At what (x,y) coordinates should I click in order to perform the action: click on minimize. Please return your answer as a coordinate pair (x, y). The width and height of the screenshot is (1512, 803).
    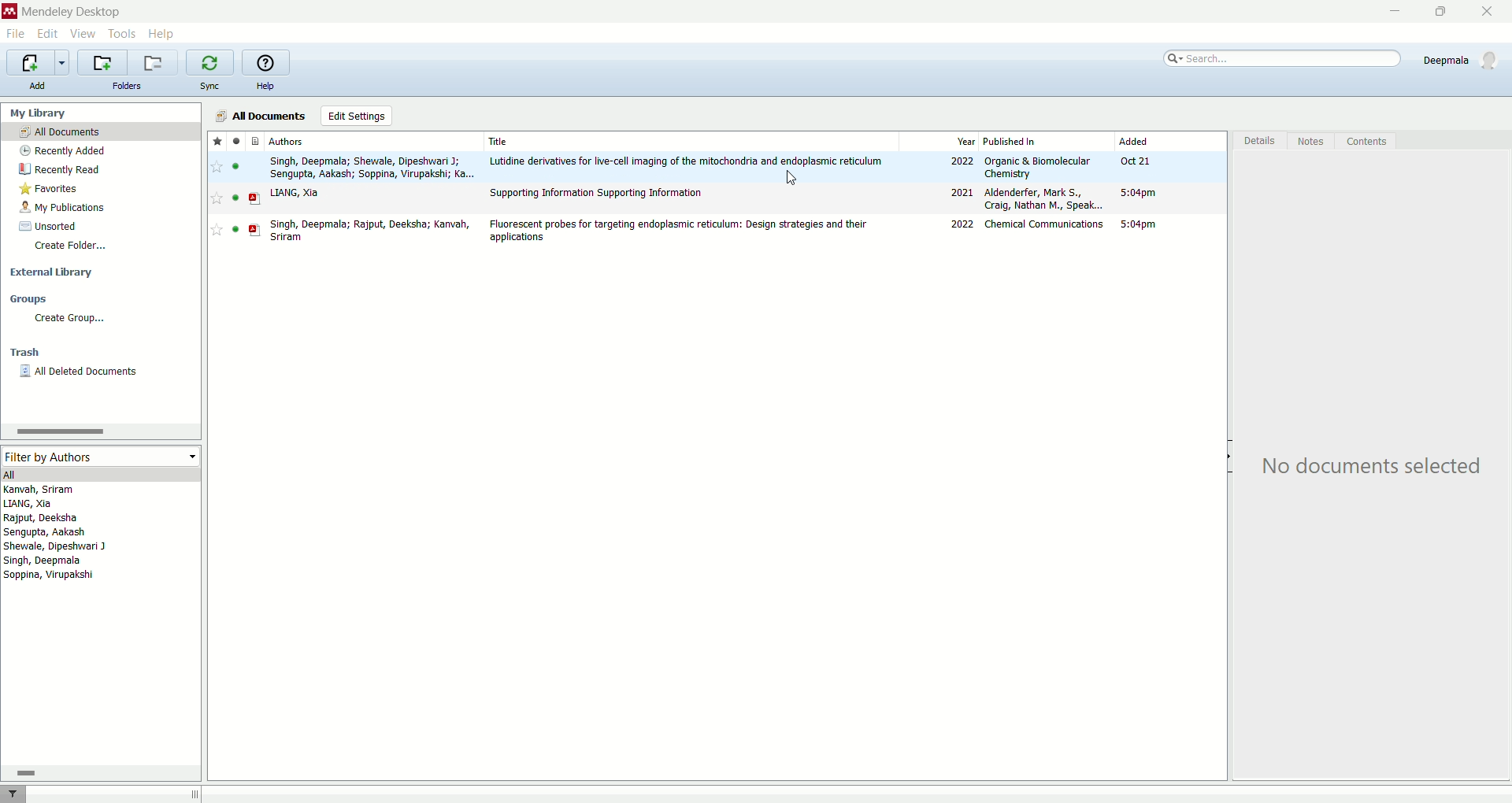
    Looking at the image, I should click on (1388, 13).